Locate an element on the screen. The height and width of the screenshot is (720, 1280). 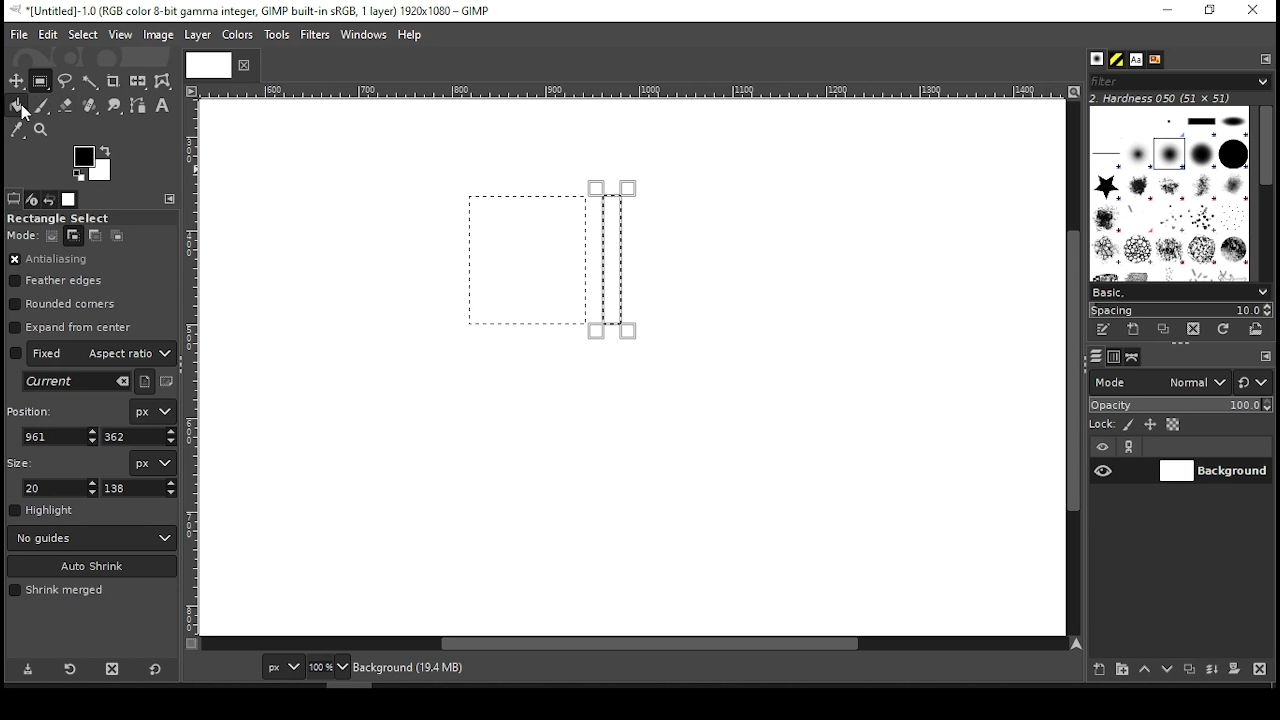
create a new brush is located at coordinates (1136, 329).